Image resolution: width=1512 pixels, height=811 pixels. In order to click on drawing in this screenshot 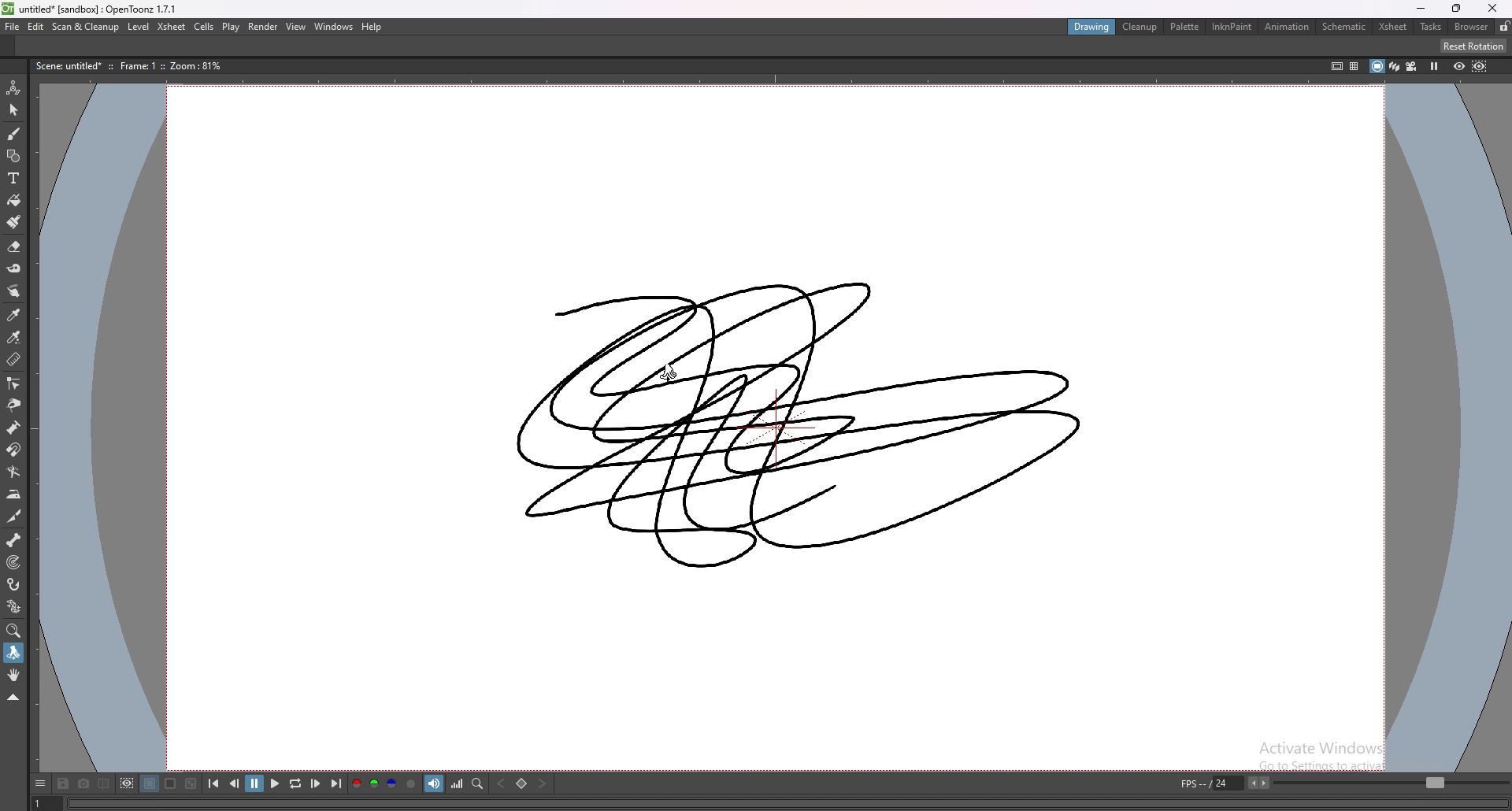, I will do `click(778, 421)`.